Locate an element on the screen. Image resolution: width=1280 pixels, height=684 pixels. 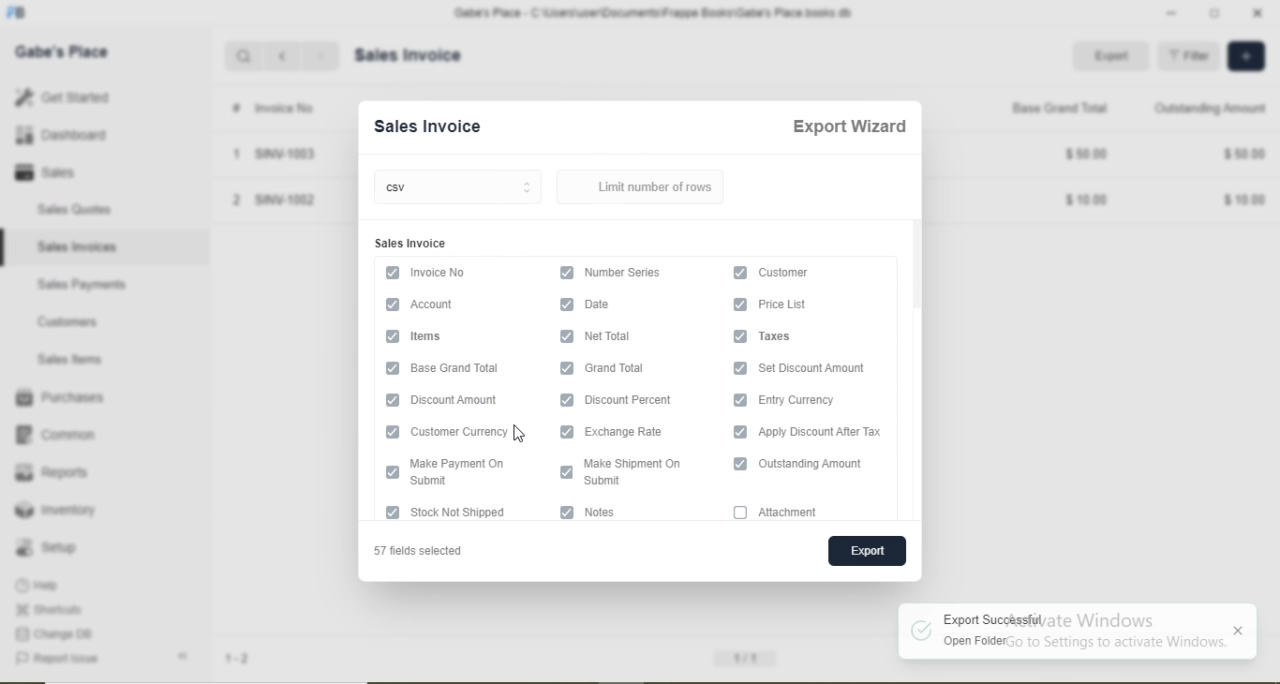
Report Issue « is located at coordinates (106, 659).